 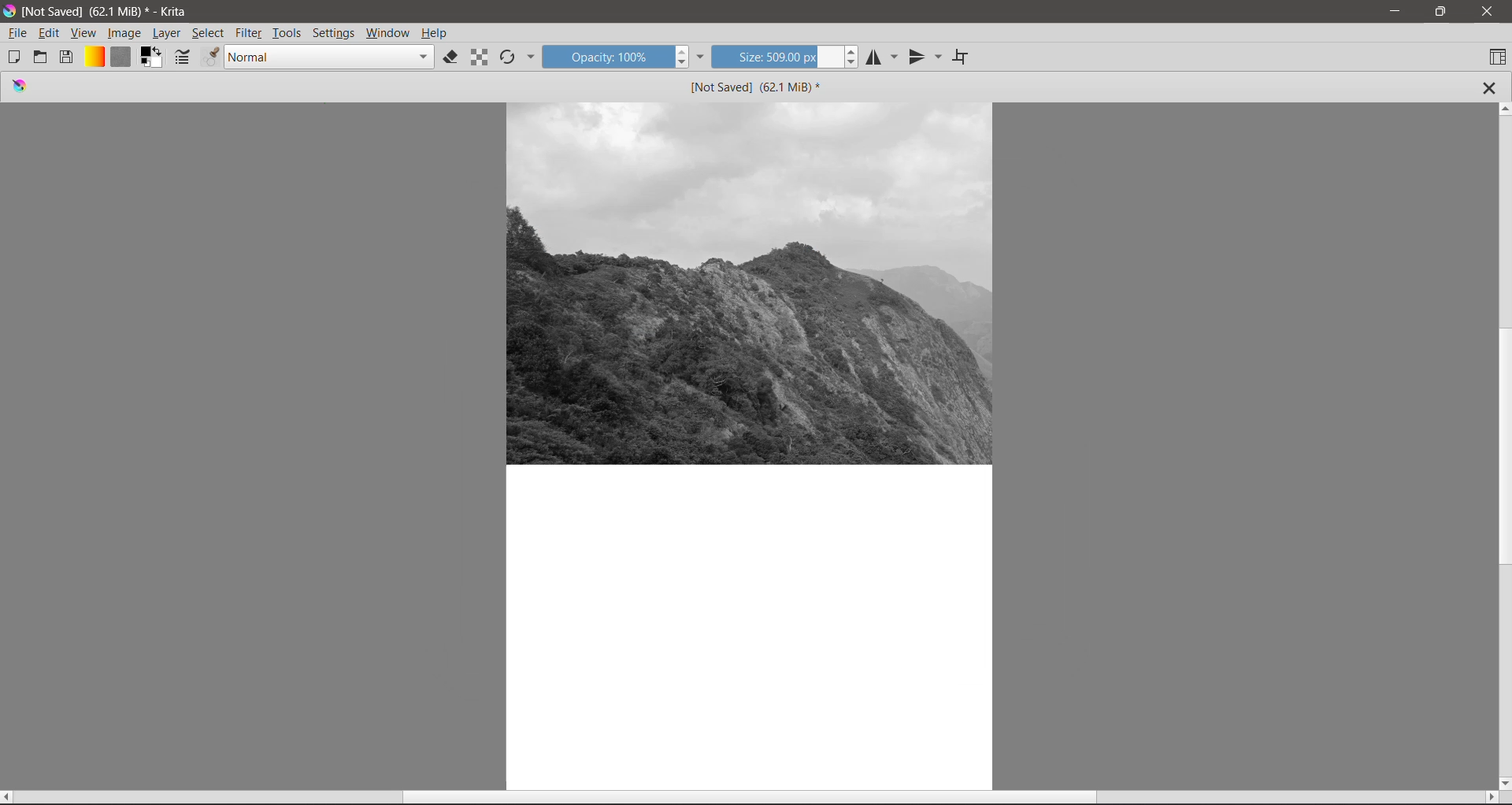 I want to click on Image Name and Size, so click(x=753, y=87).